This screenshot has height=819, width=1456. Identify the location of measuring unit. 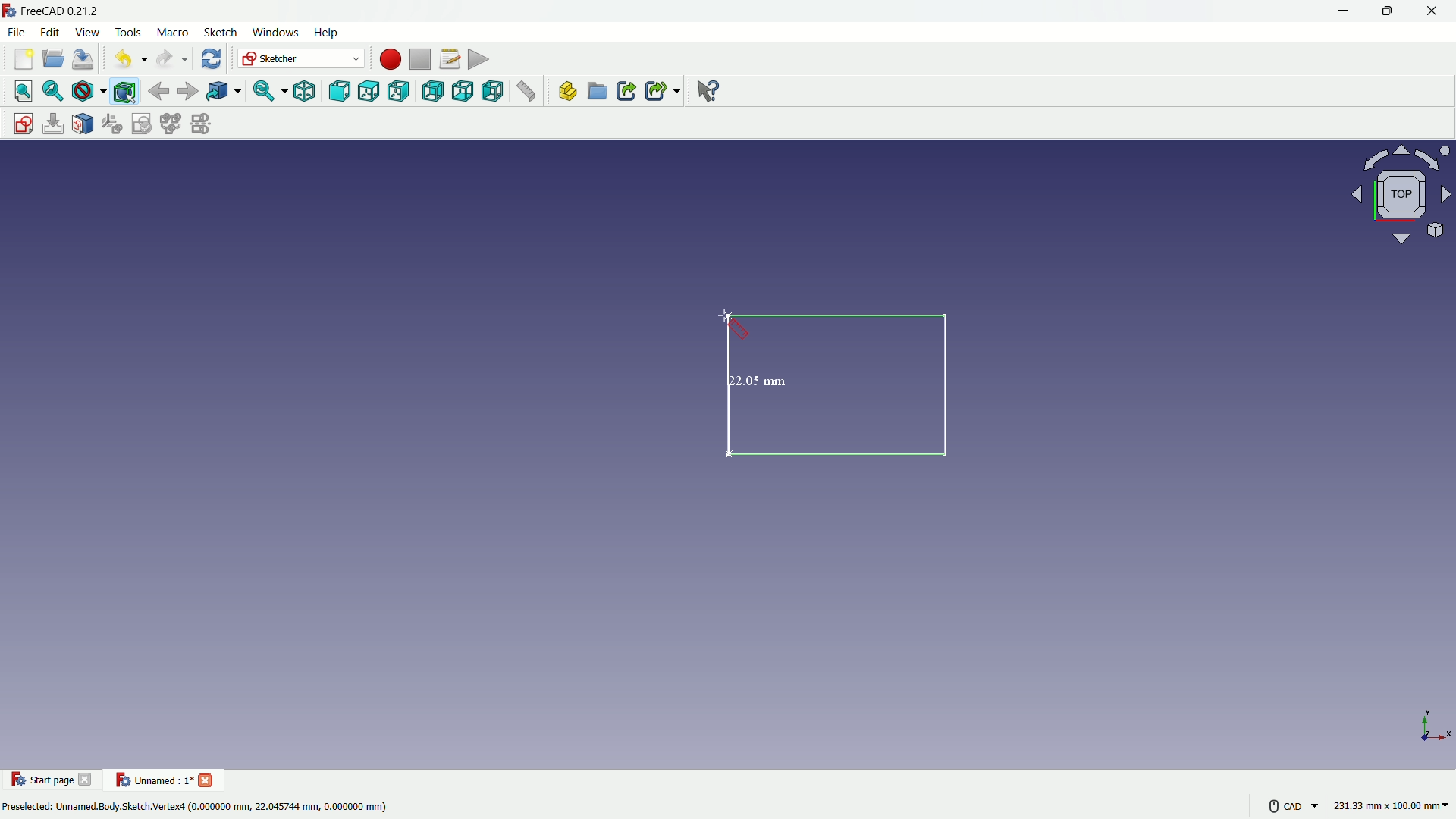
(1388, 808).